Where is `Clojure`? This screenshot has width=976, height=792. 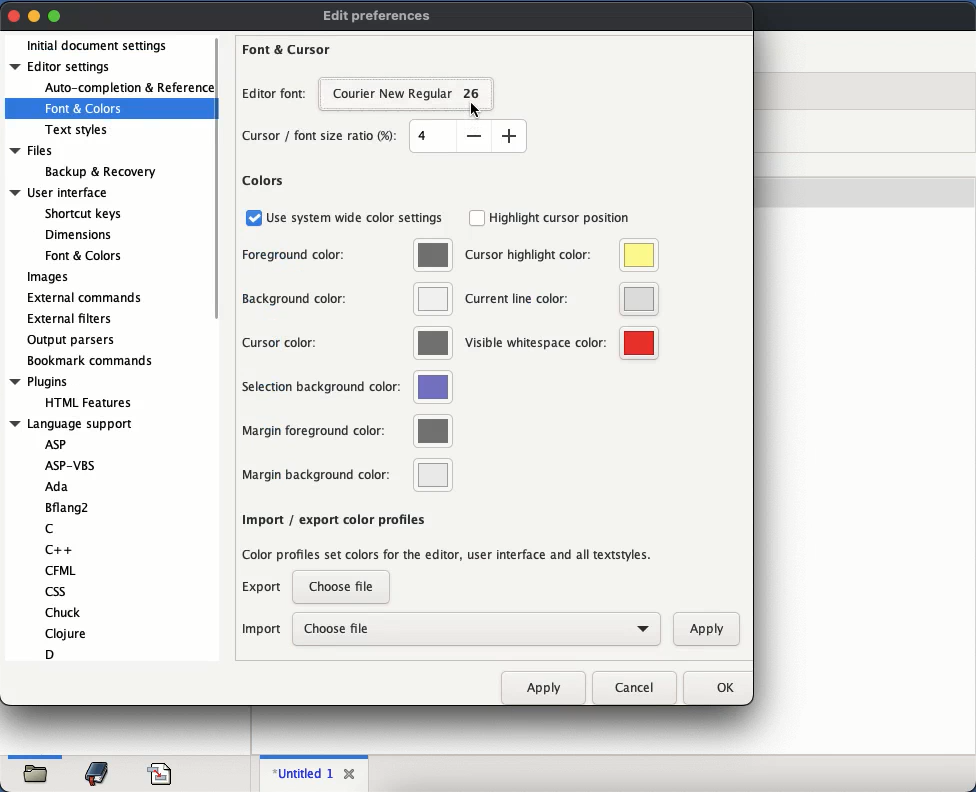 Clojure is located at coordinates (66, 633).